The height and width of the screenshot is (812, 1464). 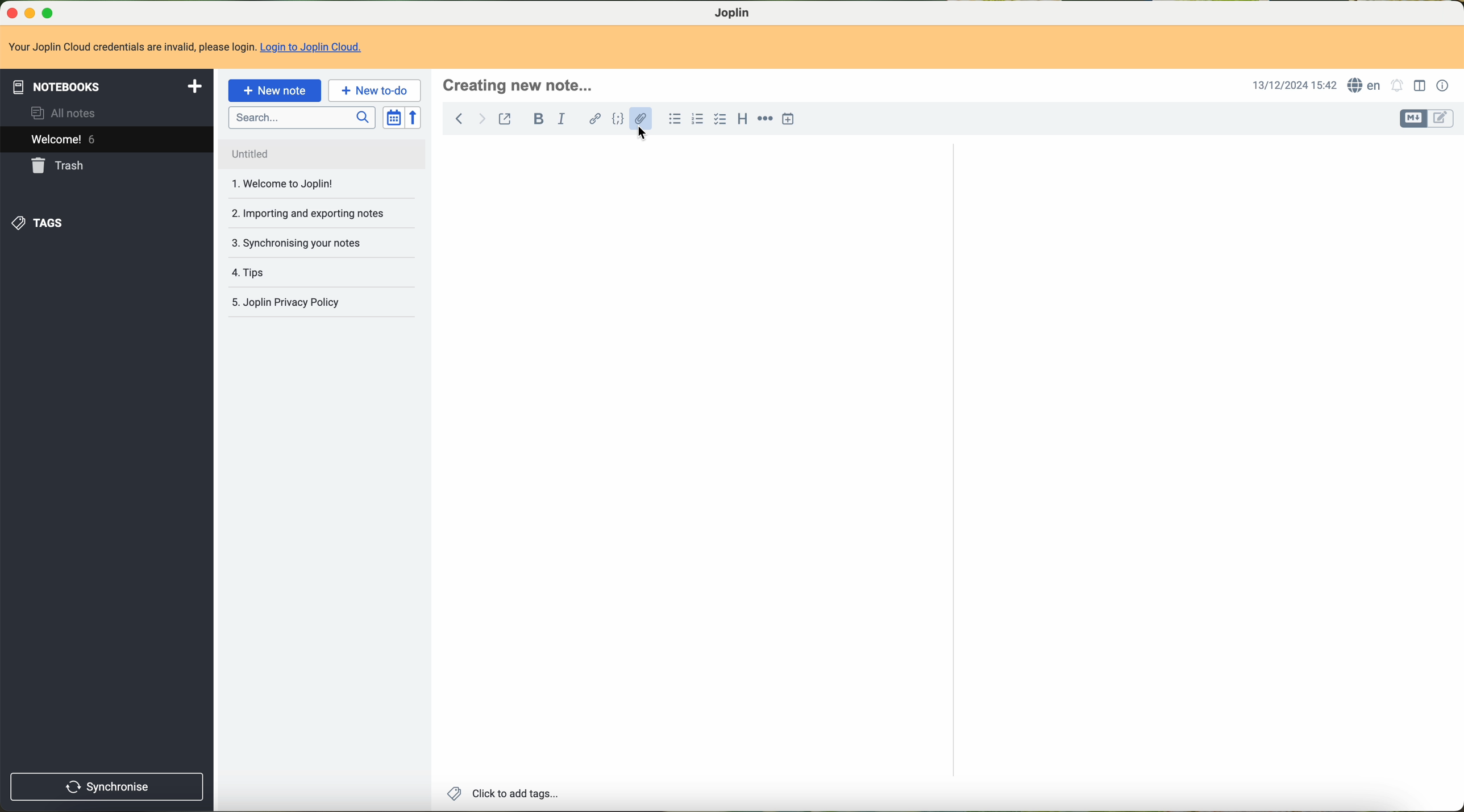 What do you see at coordinates (482, 119) in the screenshot?
I see `navigate foward` at bounding box center [482, 119].